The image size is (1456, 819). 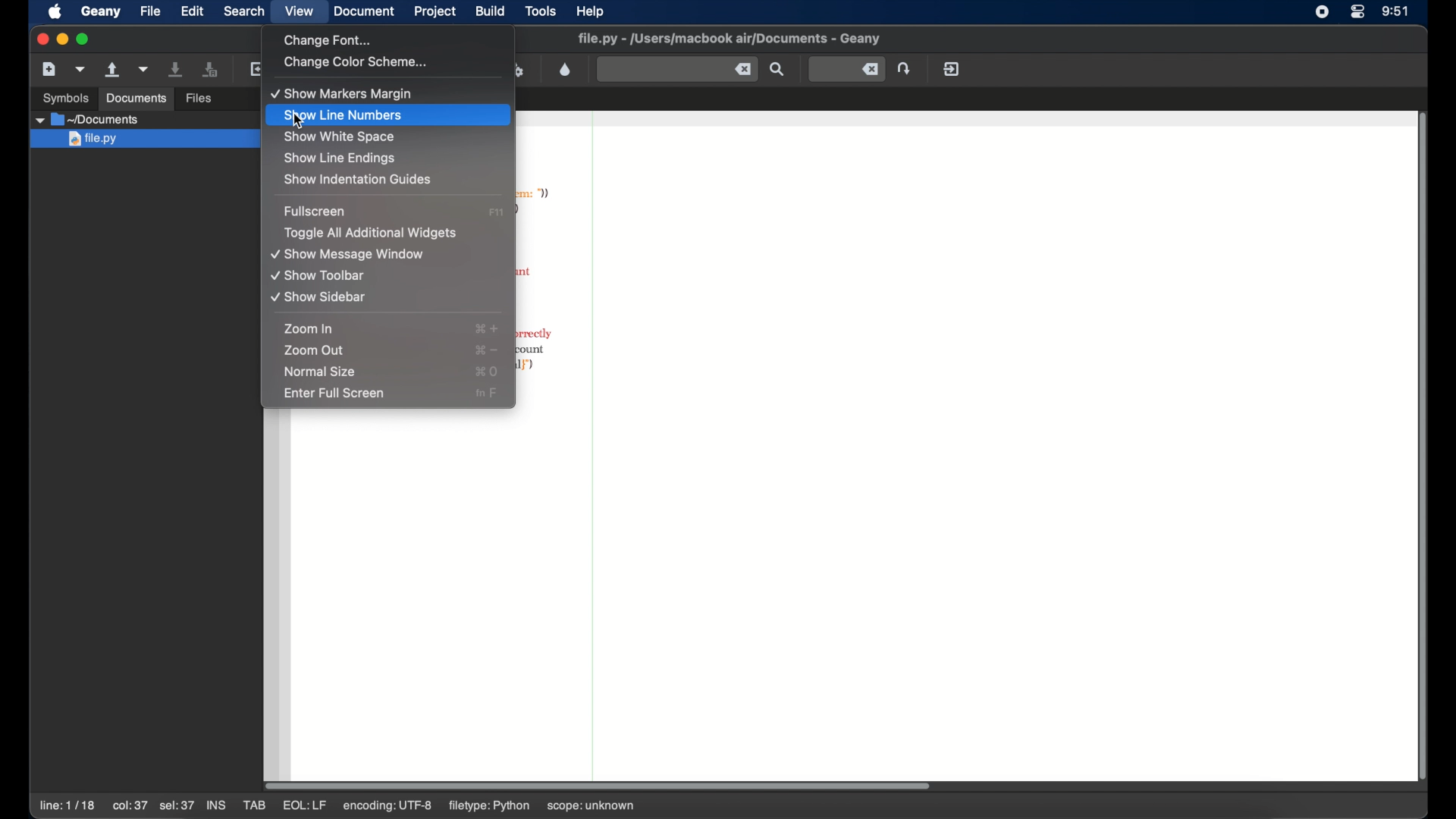 I want to click on edit, so click(x=191, y=11).